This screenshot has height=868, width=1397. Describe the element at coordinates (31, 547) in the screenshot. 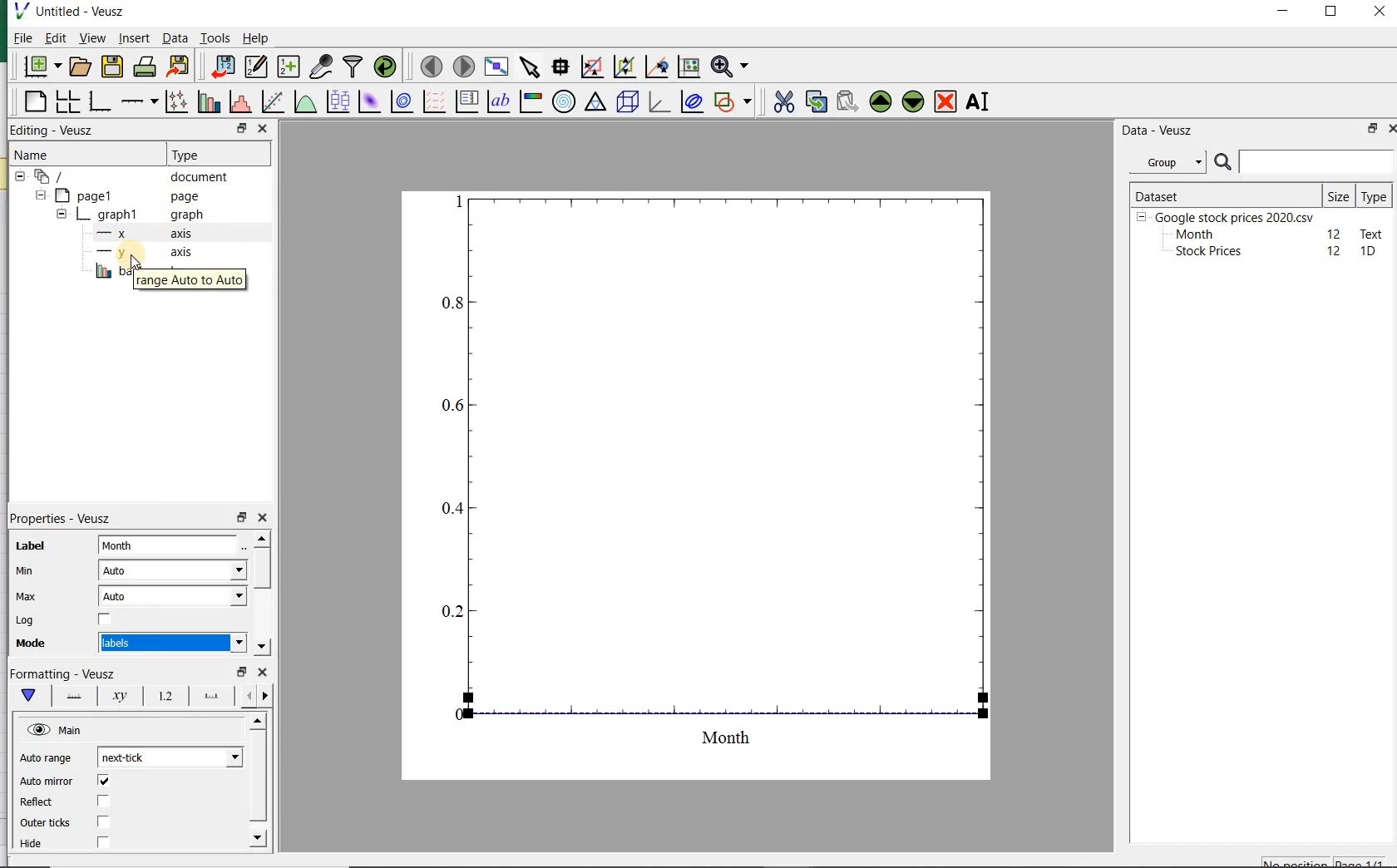

I see `Label` at that location.